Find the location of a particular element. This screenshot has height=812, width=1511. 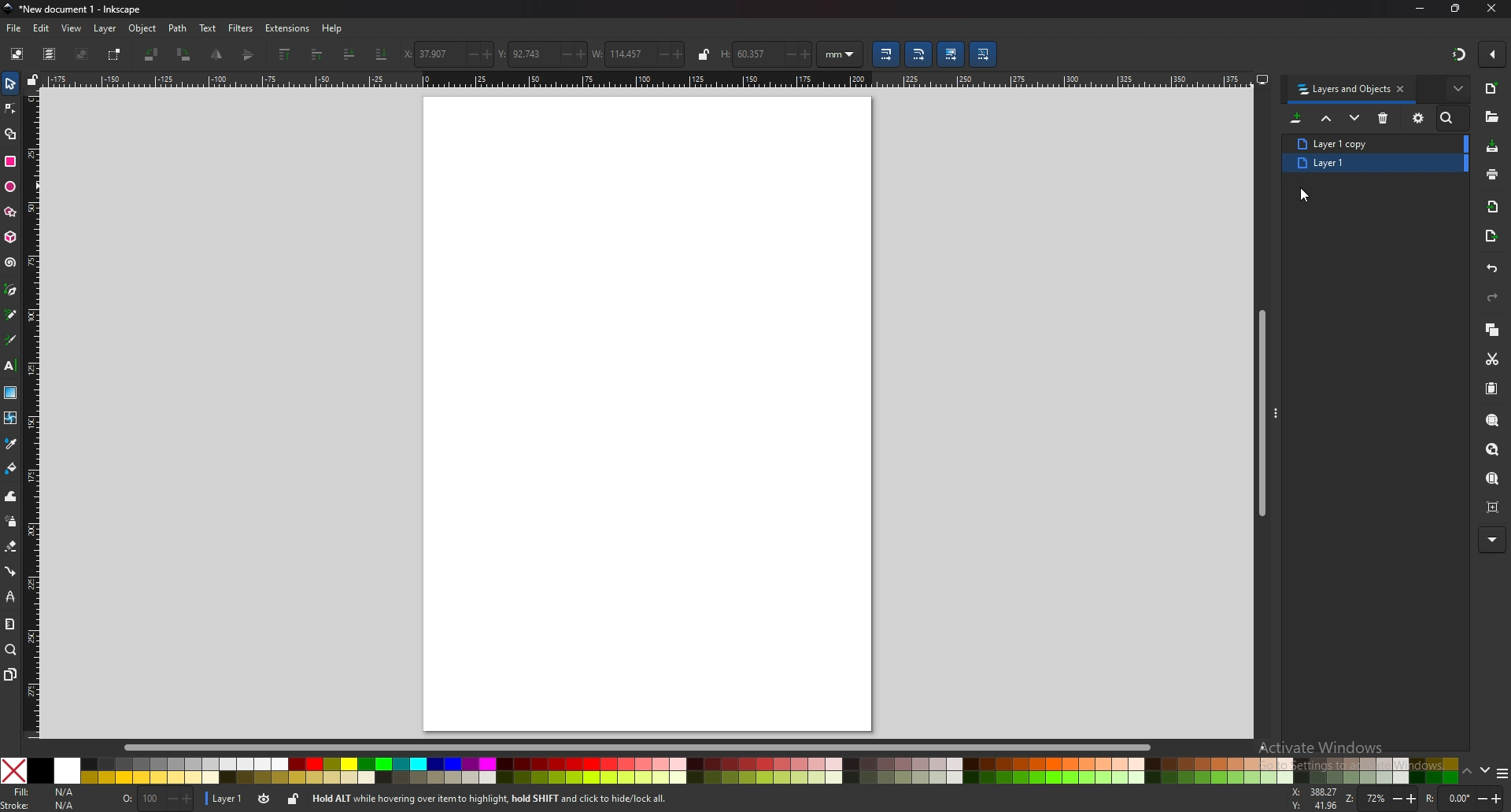

y coordinates is located at coordinates (524, 54).